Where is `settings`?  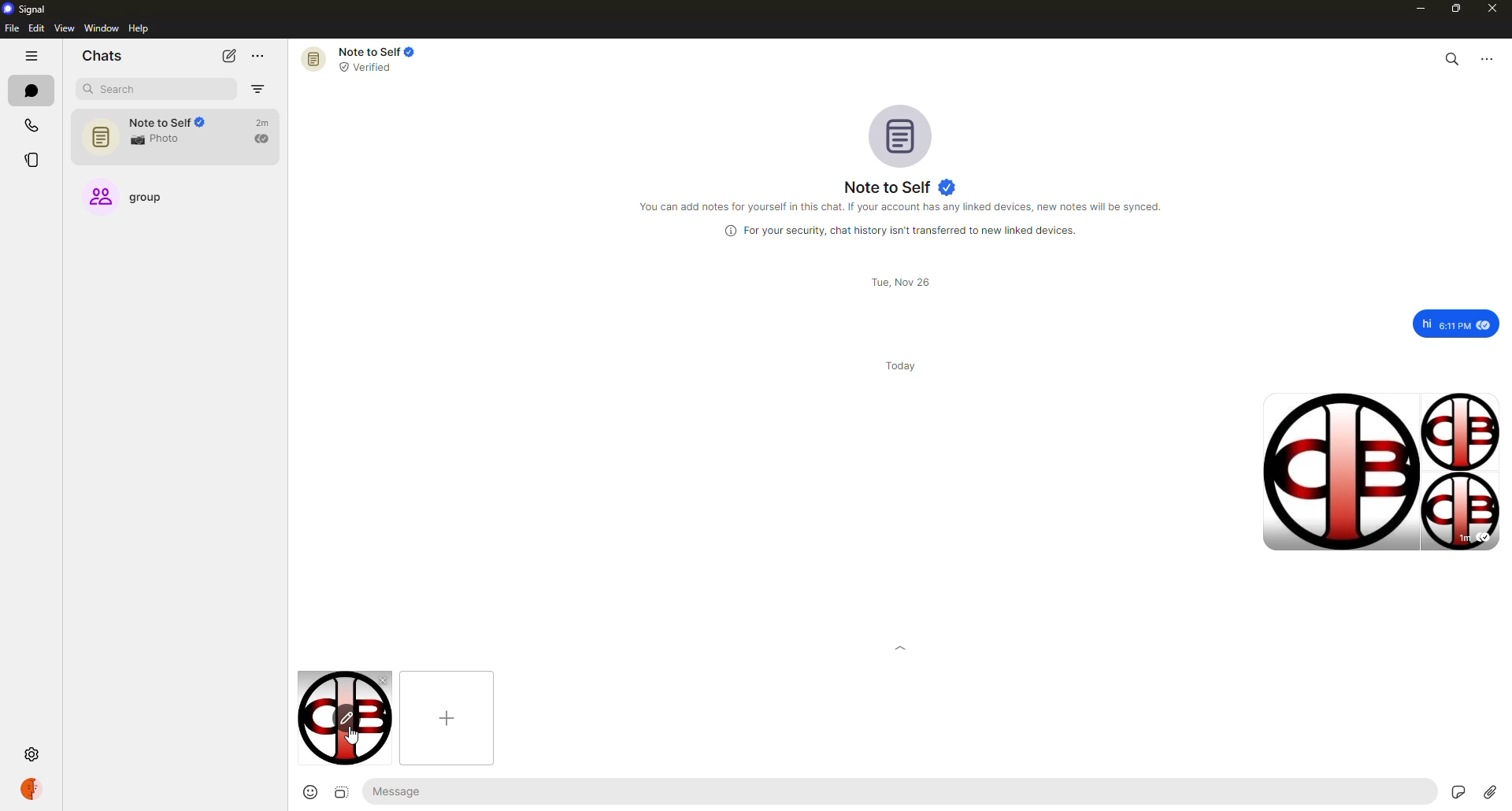
settings is located at coordinates (31, 755).